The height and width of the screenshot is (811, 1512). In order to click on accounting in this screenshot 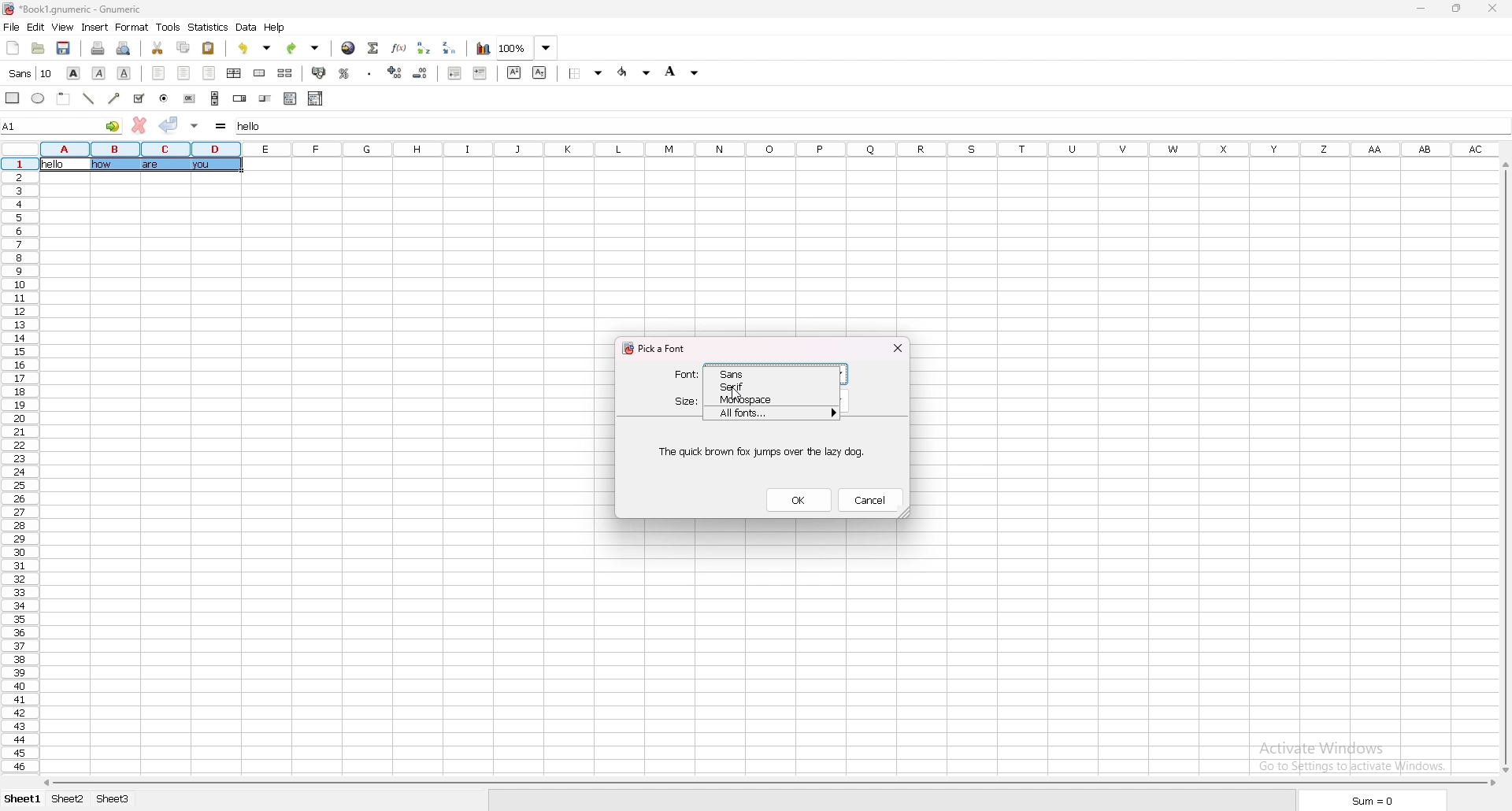, I will do `click(321, 73)`.